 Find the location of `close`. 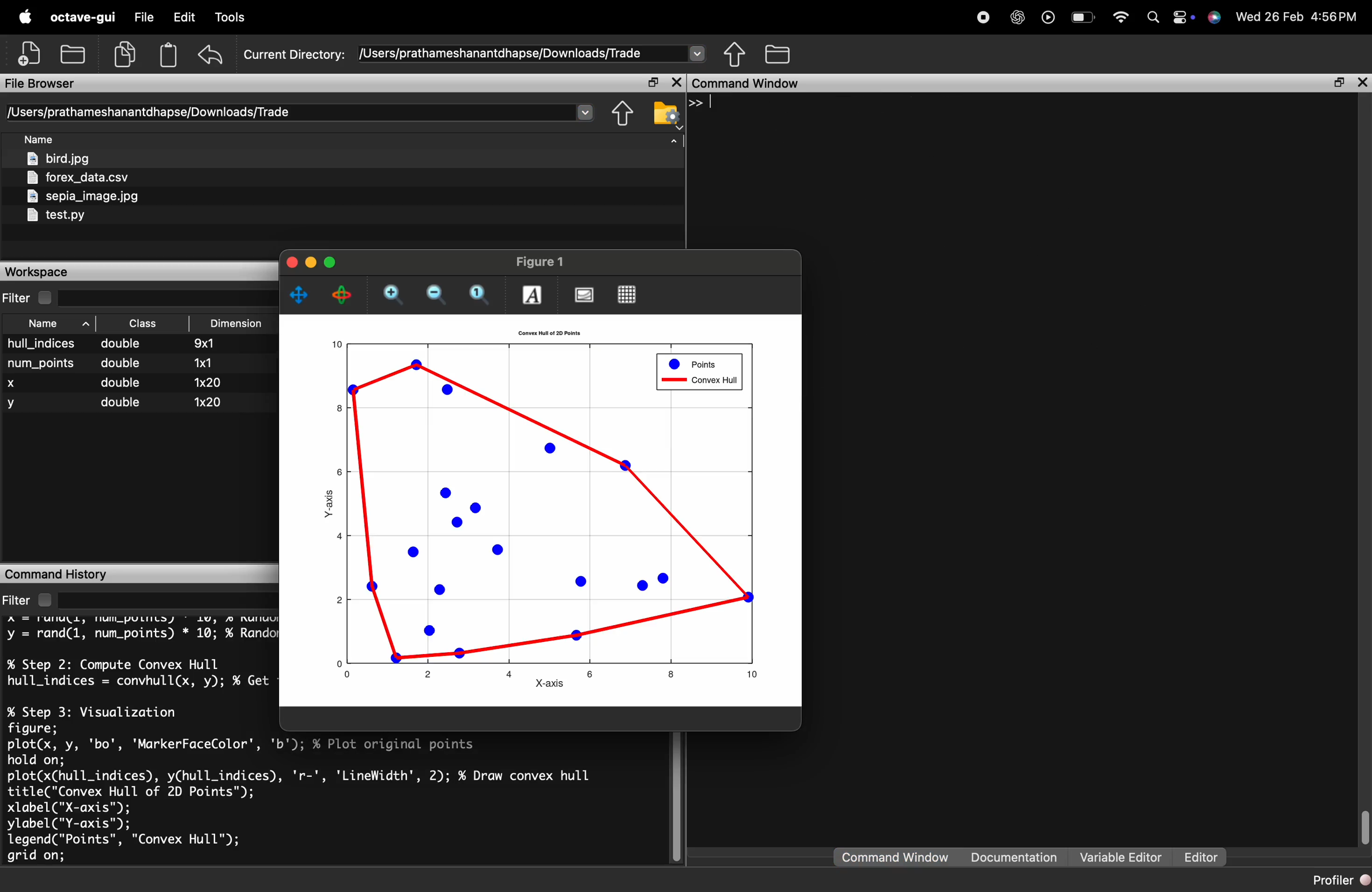

close is located at coordinates (291, 262).